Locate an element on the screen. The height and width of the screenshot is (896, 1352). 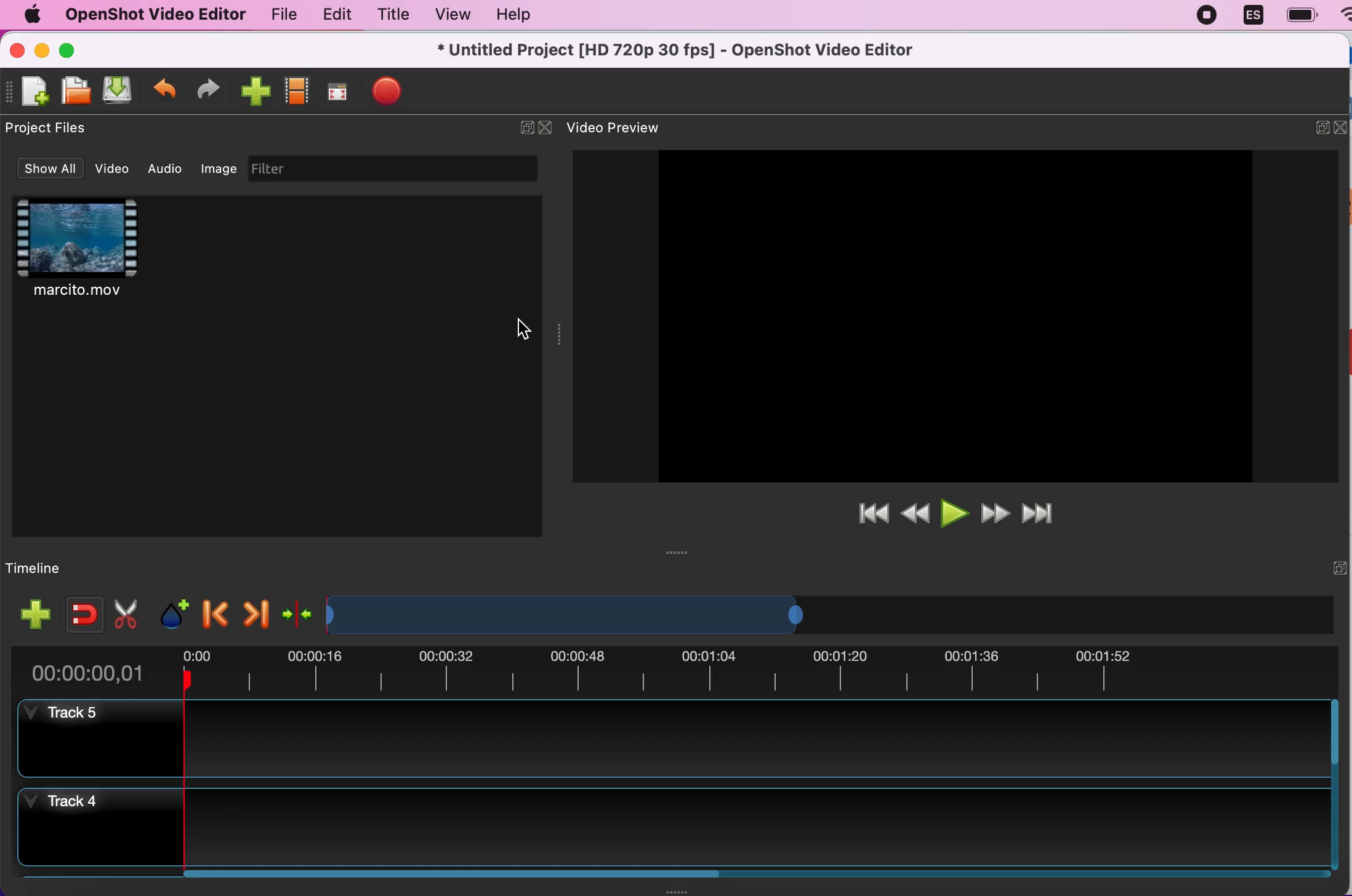
clip is located at coordinates (113, 260).